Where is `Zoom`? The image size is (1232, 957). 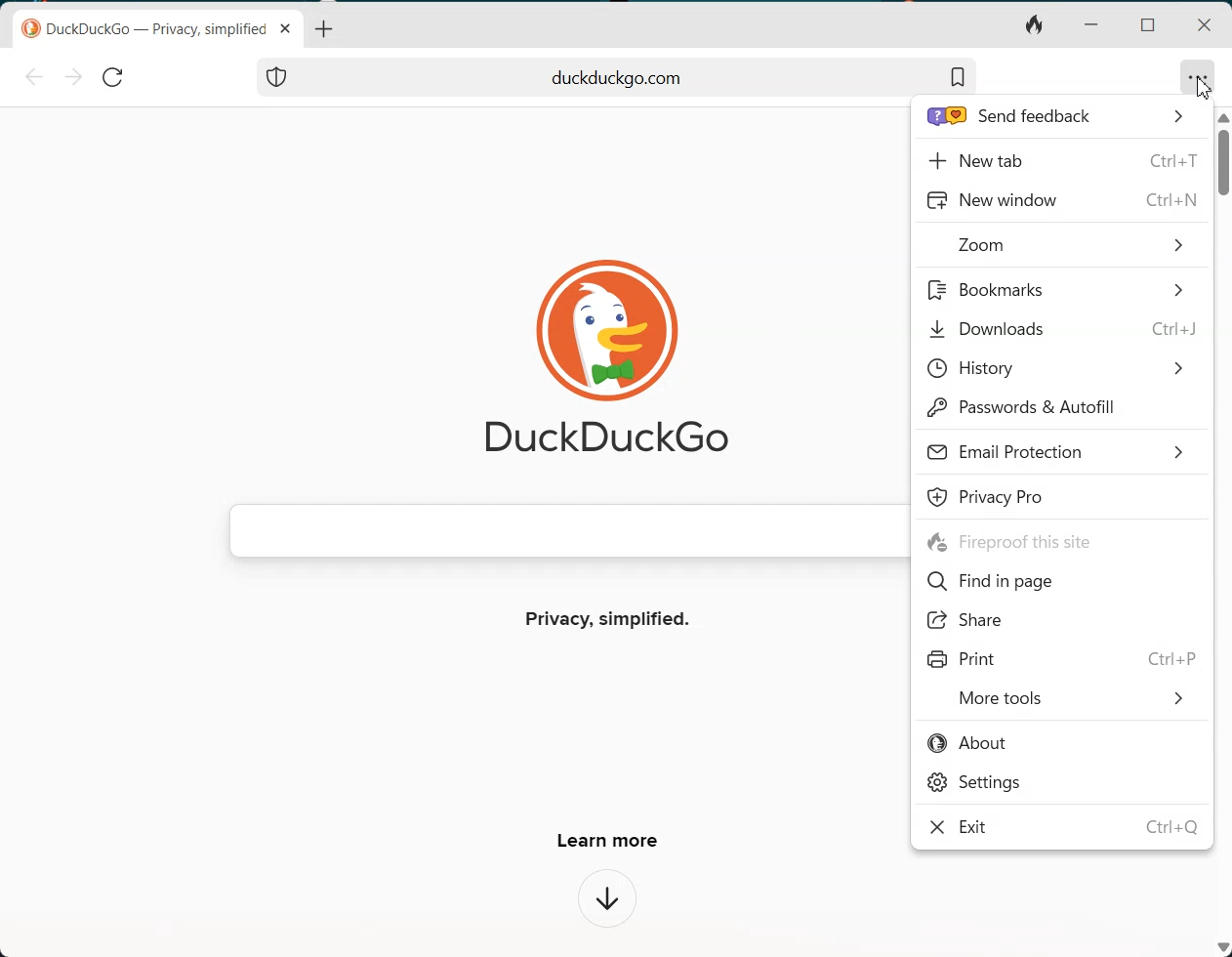
Zoom is located at coordinates (1061, 244).